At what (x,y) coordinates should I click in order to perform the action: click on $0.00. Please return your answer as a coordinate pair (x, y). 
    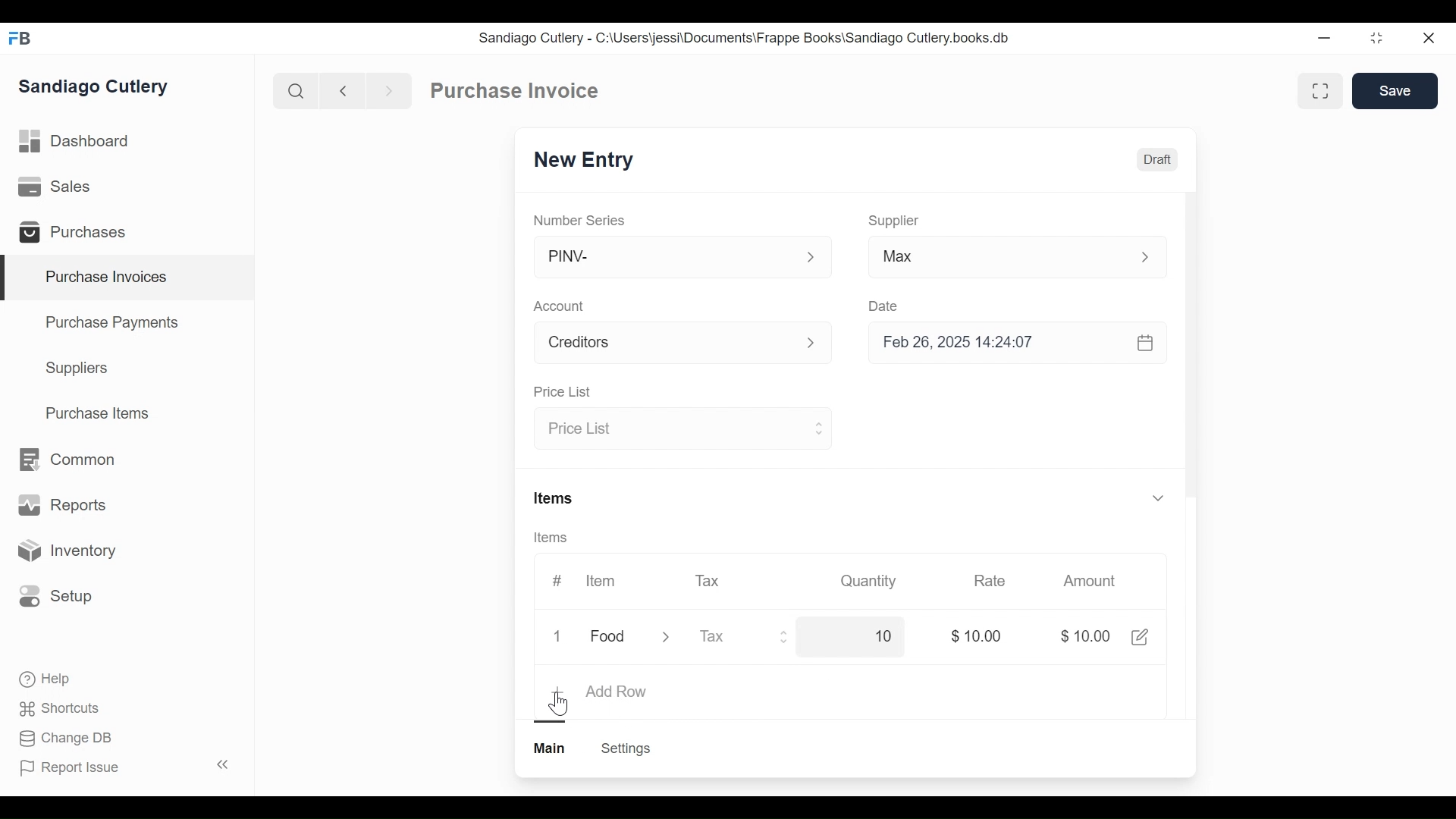
    Looking at the image, I should click on (981, 636).